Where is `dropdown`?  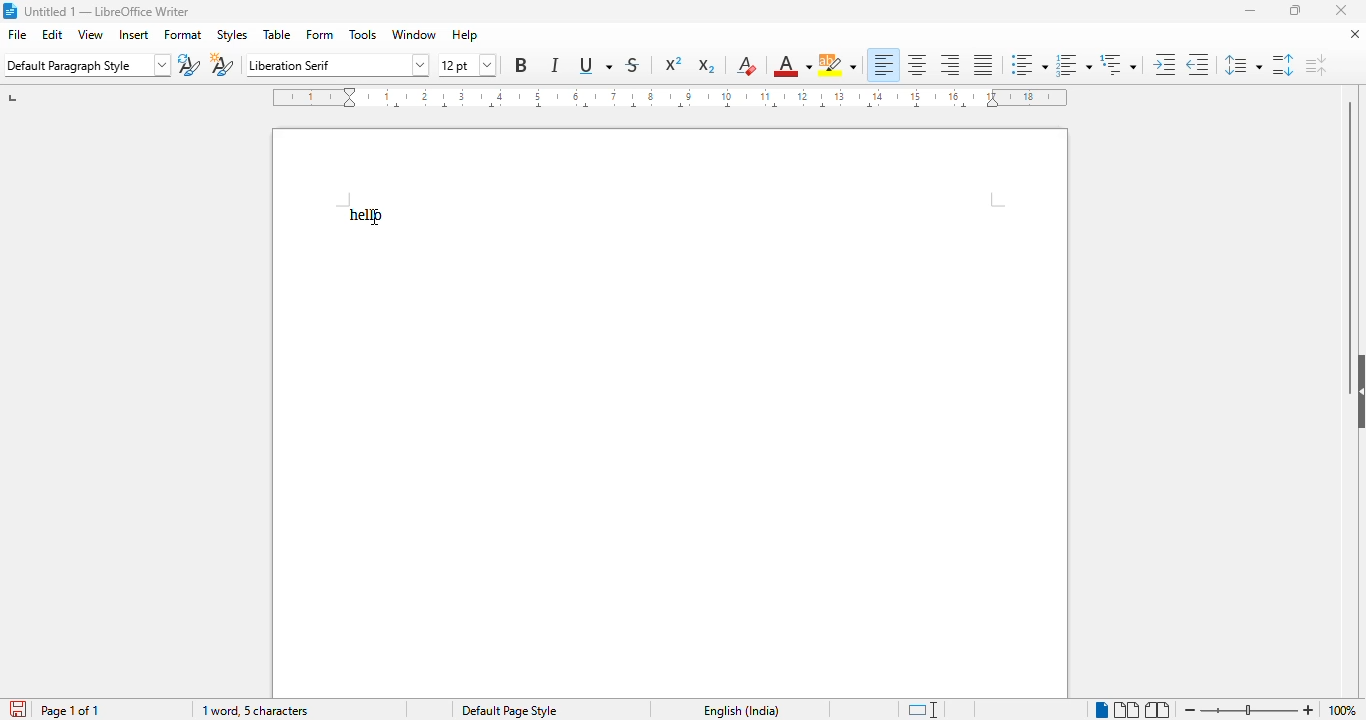
dropdown is located at coordinates (416, 66).